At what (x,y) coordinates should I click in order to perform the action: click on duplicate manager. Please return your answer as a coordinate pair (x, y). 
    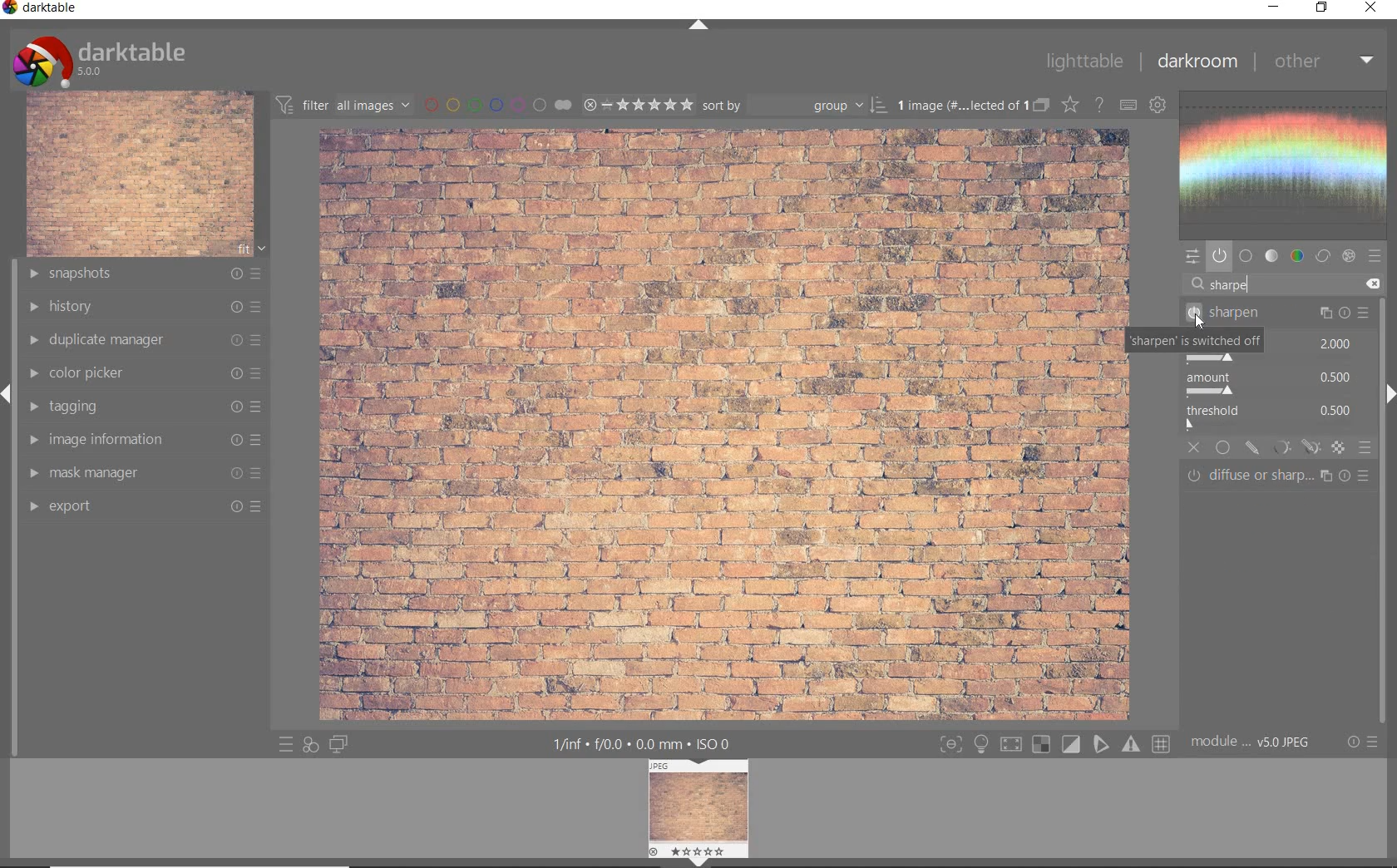
    Looking at the image, I should click on (146, 342).